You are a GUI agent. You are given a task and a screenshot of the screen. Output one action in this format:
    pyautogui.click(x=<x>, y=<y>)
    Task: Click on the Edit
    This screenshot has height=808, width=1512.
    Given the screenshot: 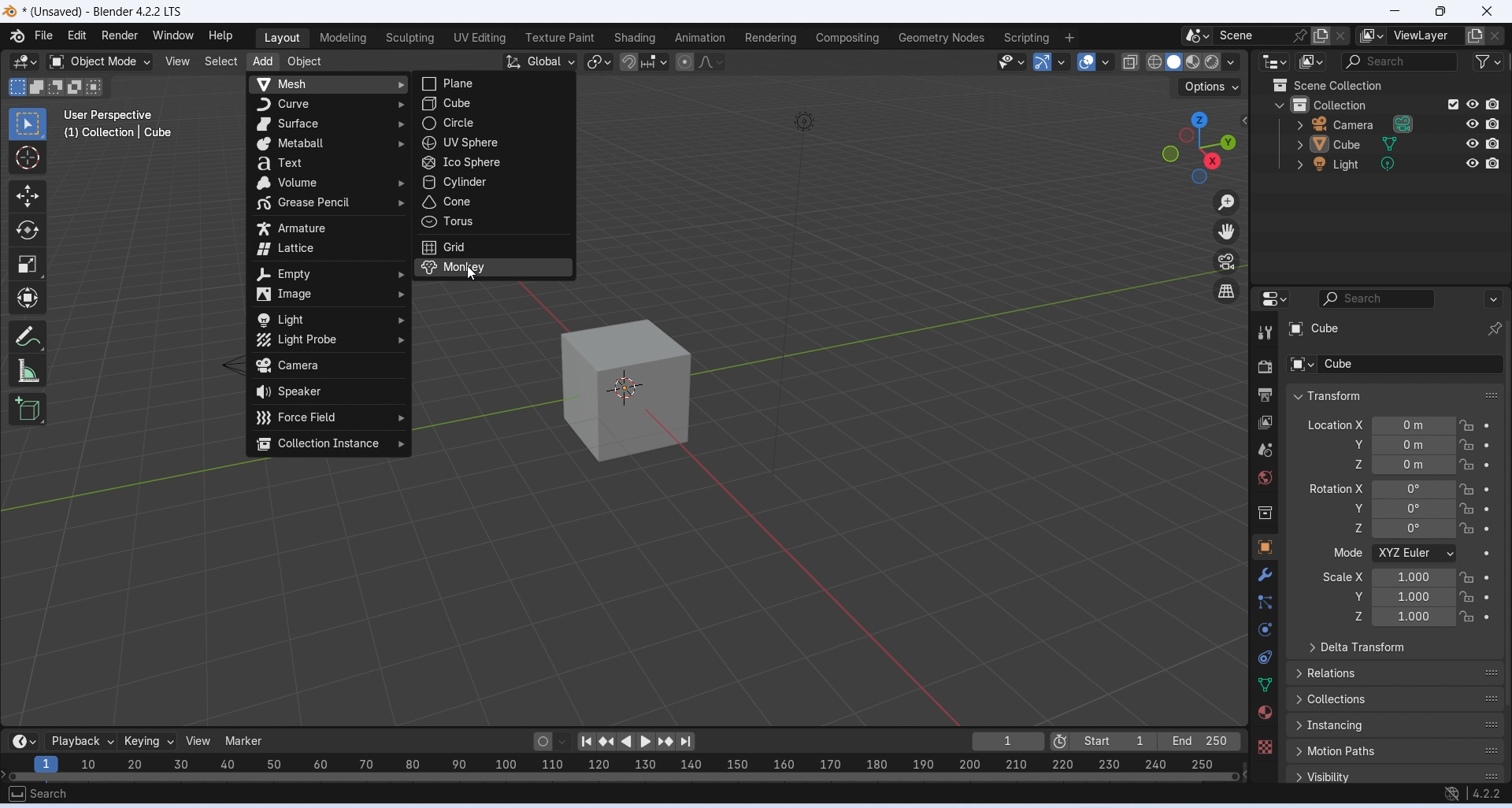 What is the action you would take?
    pyautogui.click(x=77, y=35)
    